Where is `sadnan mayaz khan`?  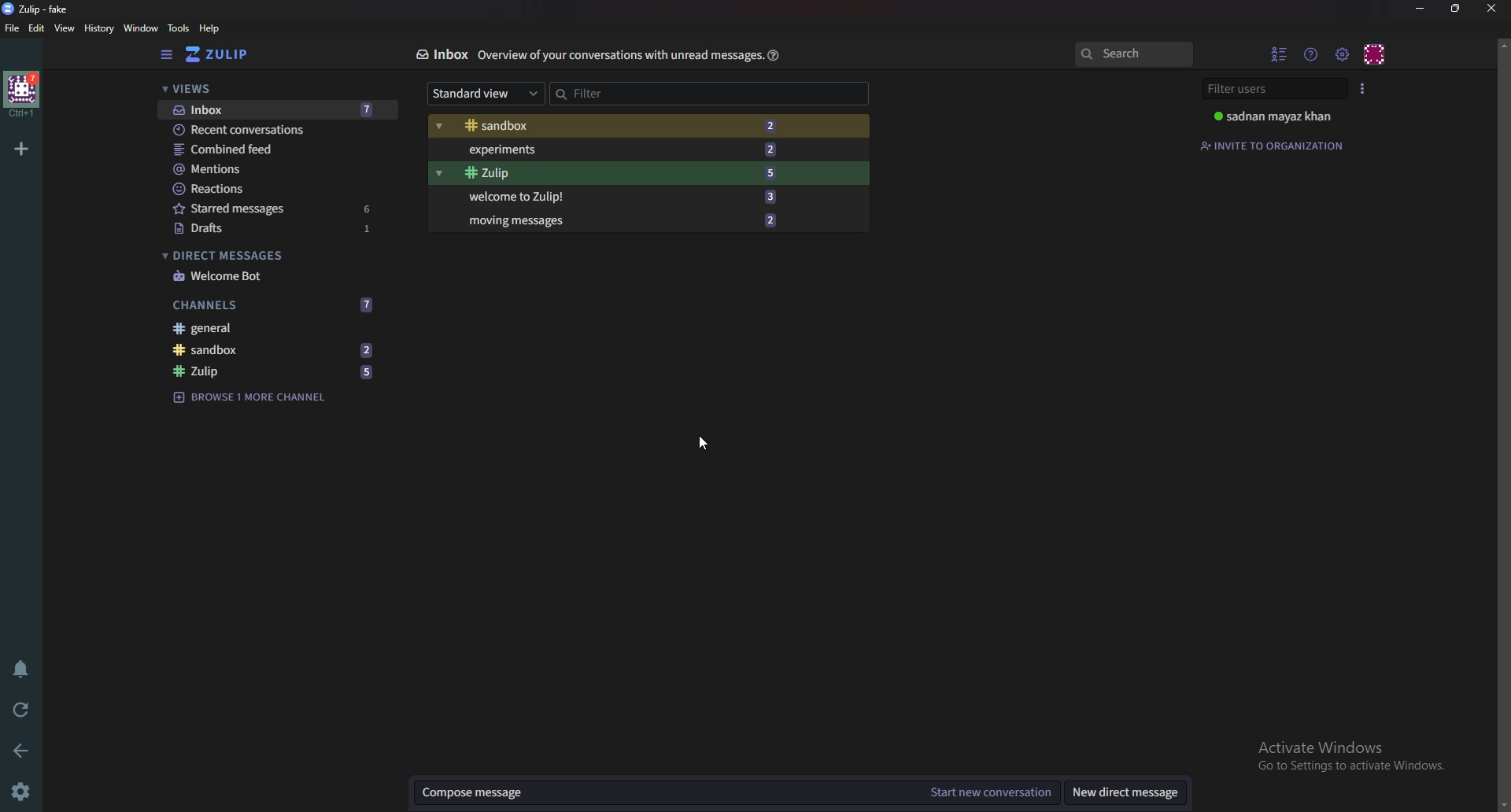
sadnan mayaz khan is located at coordinates (1274, 116).